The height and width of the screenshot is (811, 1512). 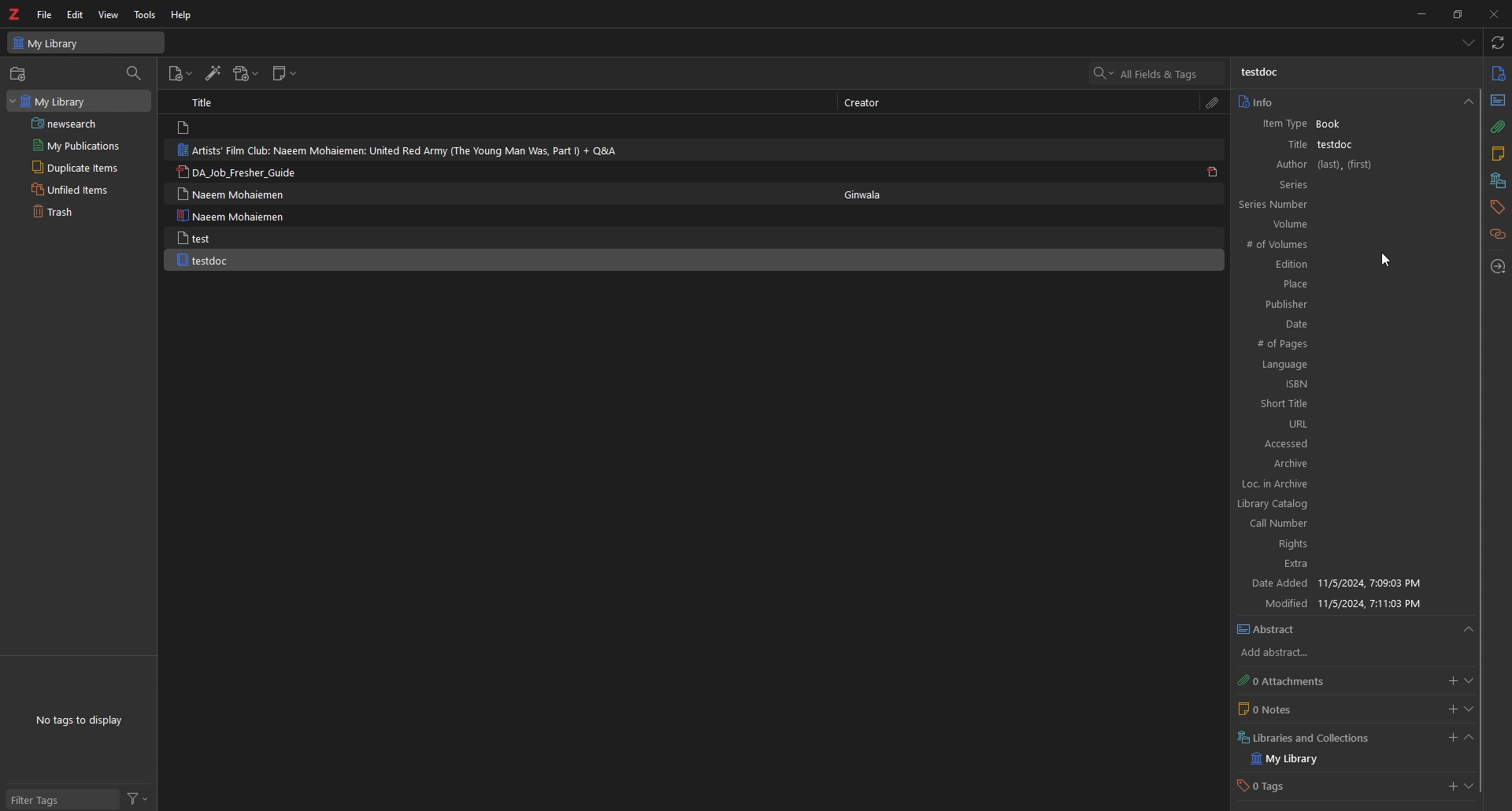 What do you see at coordinates (87, 43) in the screenshot?
I see `My Library` at bounding box center [87, 43].